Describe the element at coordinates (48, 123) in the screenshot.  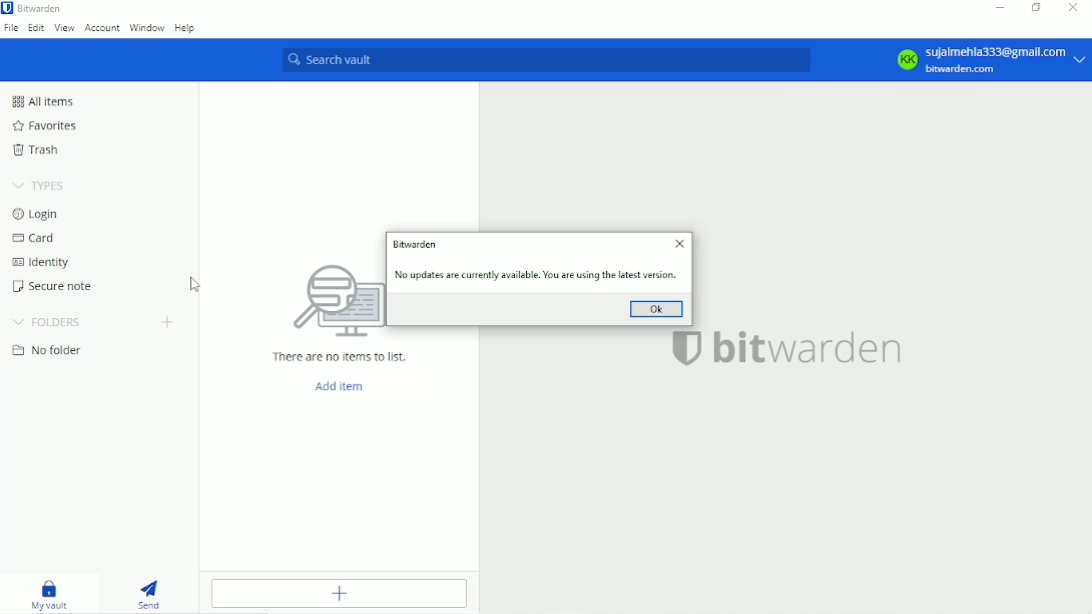
I see `Favorites` at that location.